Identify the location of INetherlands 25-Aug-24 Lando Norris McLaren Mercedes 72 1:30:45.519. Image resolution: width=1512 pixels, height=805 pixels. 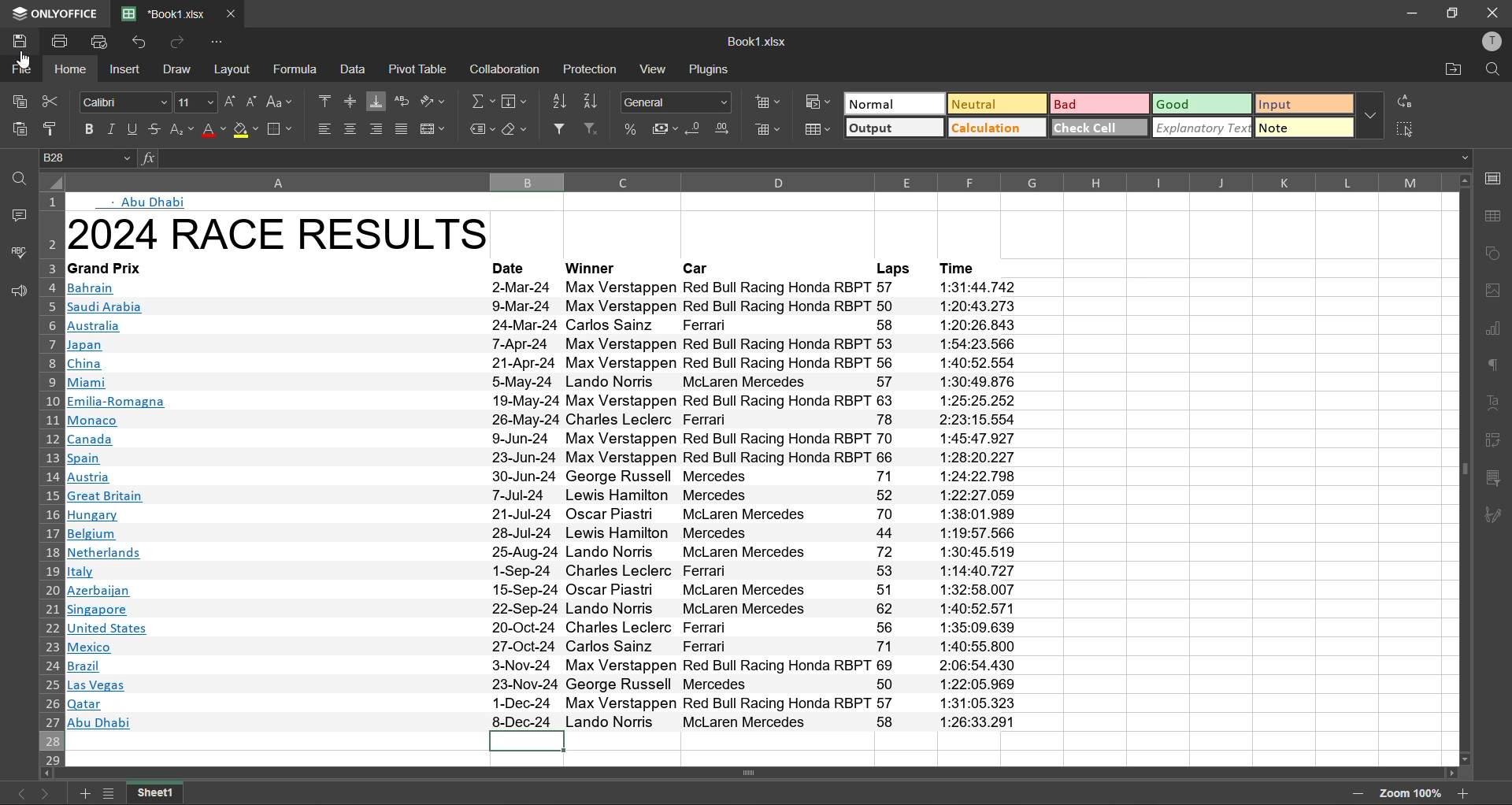
(544, 552).